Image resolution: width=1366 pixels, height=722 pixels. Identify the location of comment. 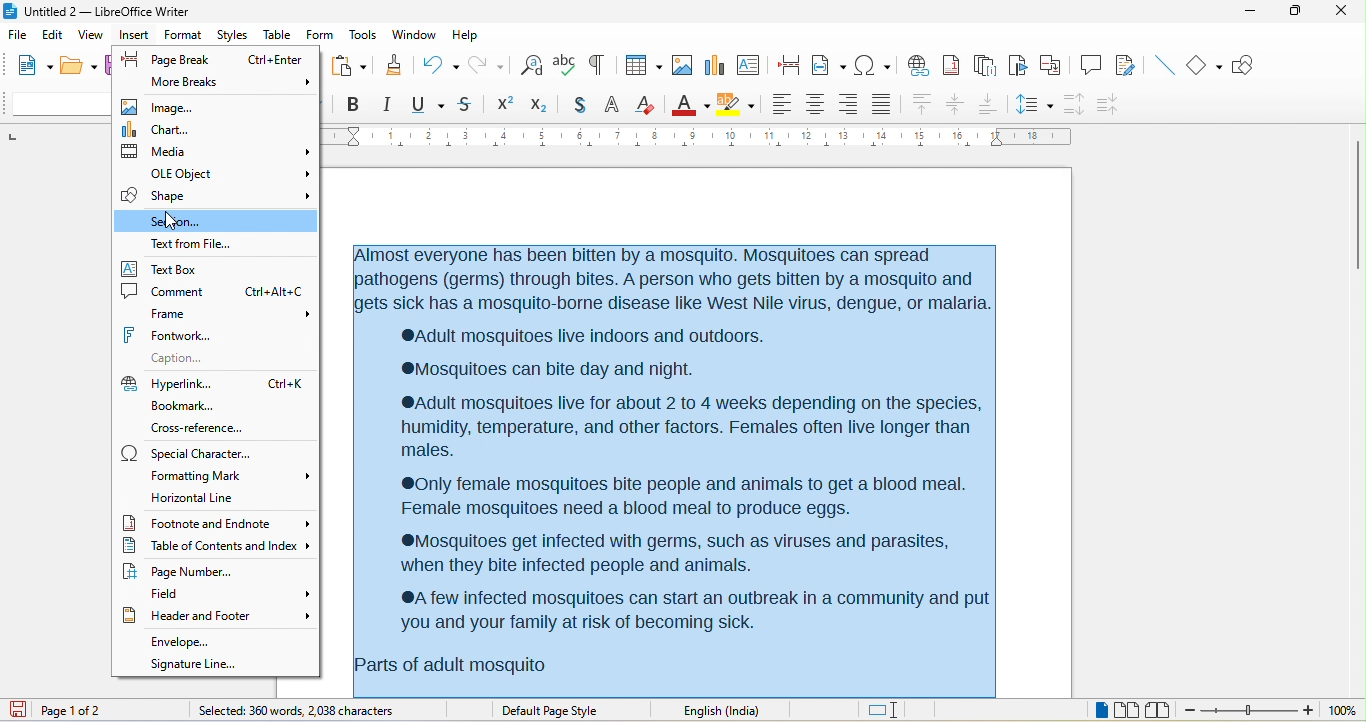
(213, 291).